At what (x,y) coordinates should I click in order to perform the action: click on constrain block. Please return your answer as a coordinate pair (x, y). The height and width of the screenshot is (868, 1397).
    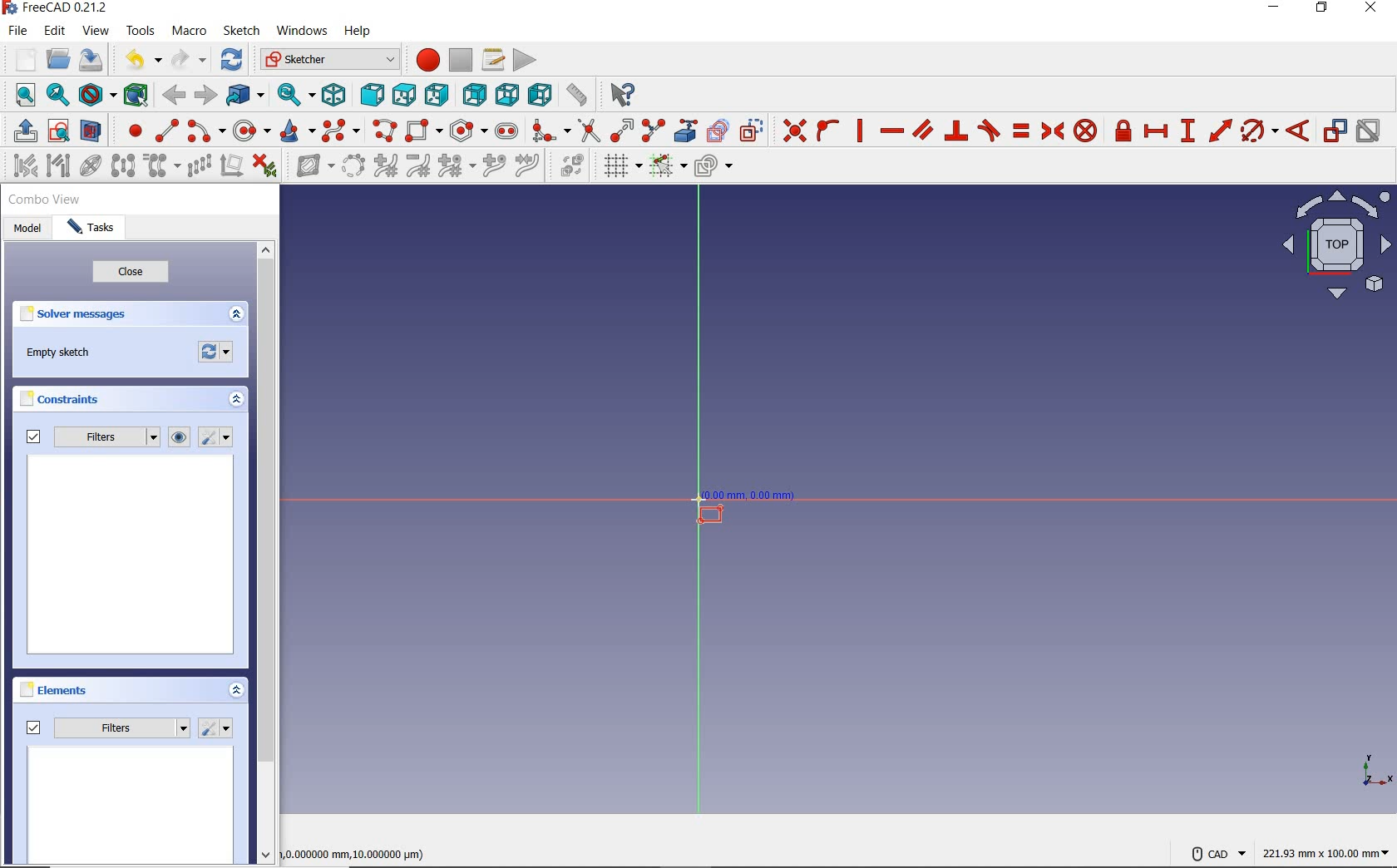
    Looking at the image, I should click on (1086, 131).